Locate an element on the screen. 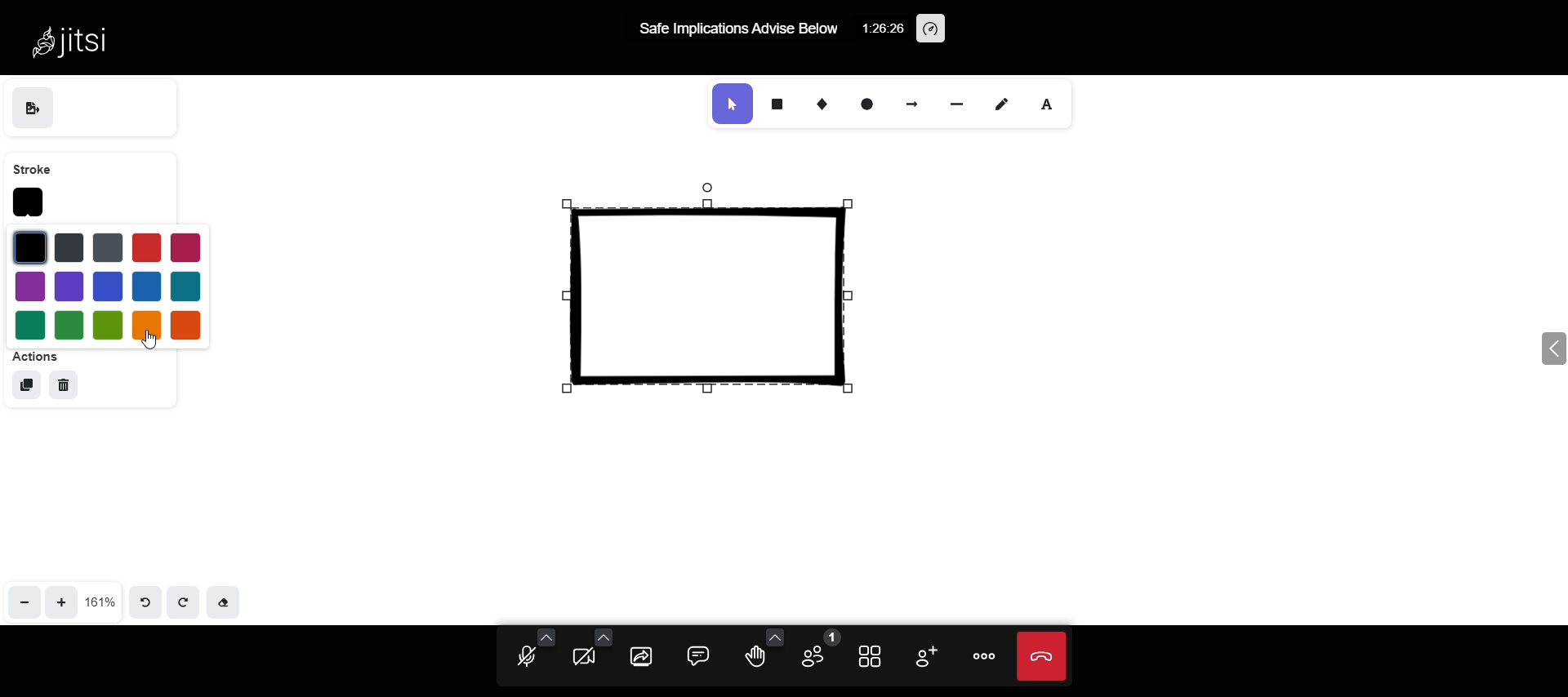  participants is located at coordinates (819, 650).